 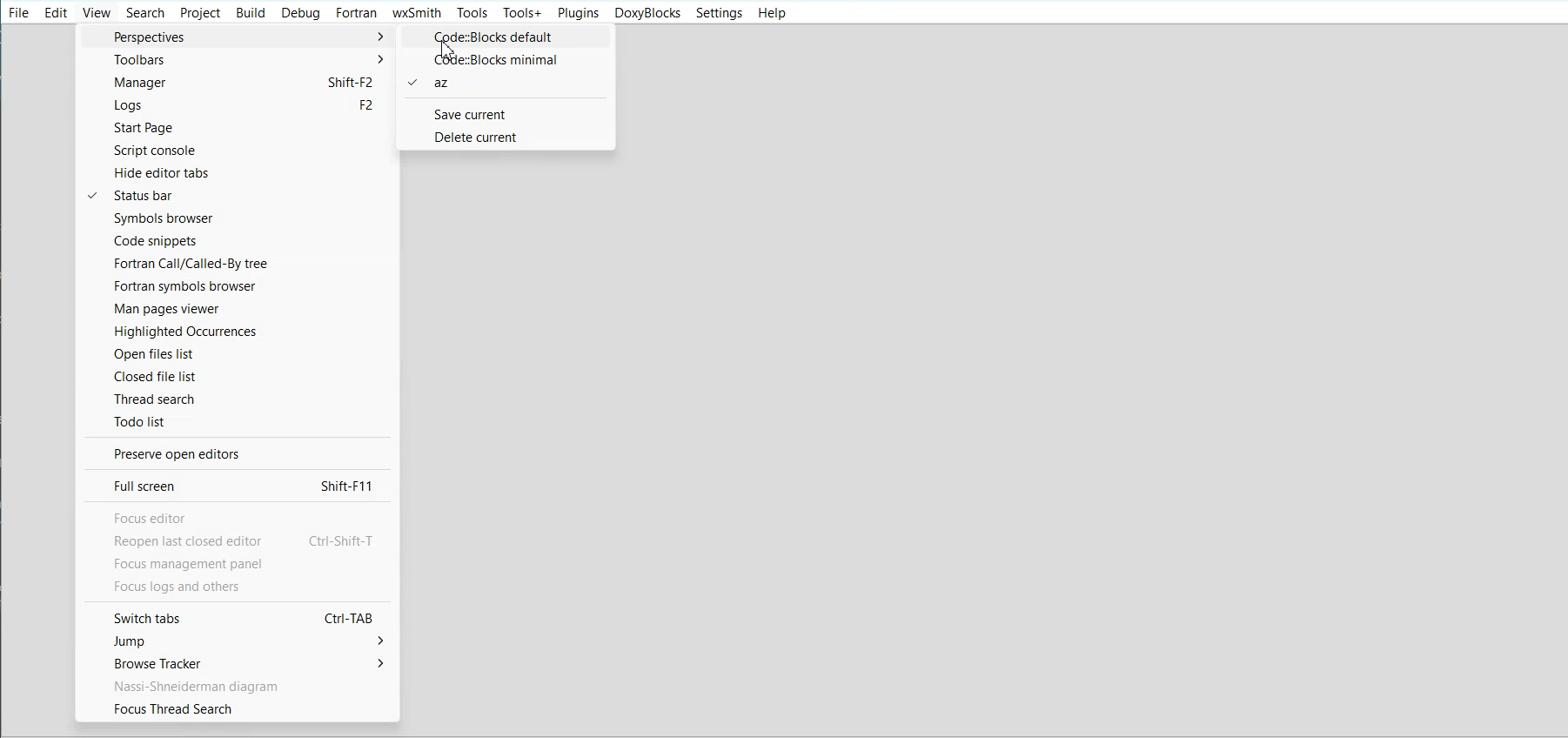 What do you see at coordinates (56, 12) in the screenshot?
I see `Edit` at bounding box center [56, 12].